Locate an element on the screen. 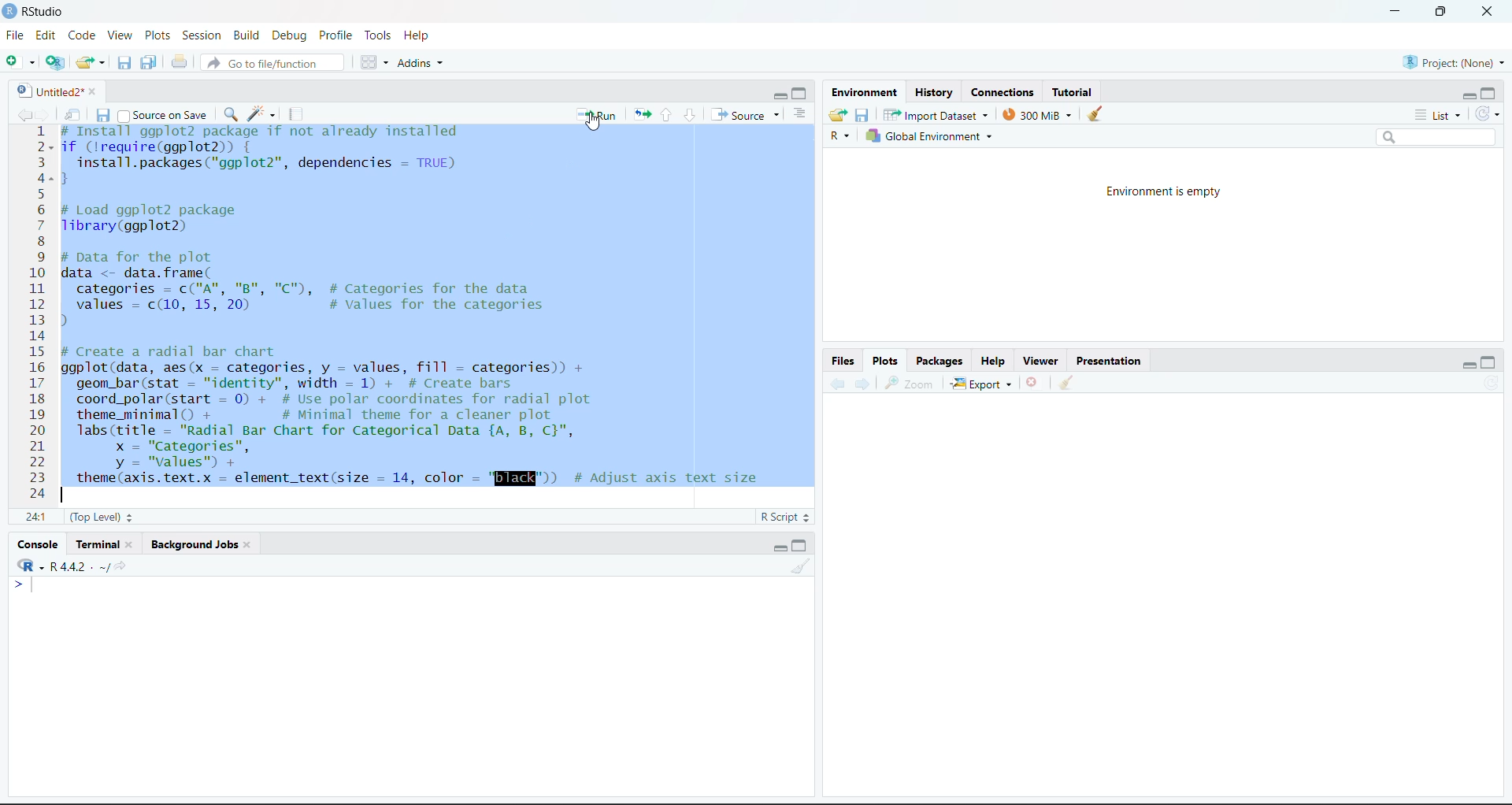 Image resolution: width=1512 pixels, height=805 pixels. R is located at coordinates (838, 136).